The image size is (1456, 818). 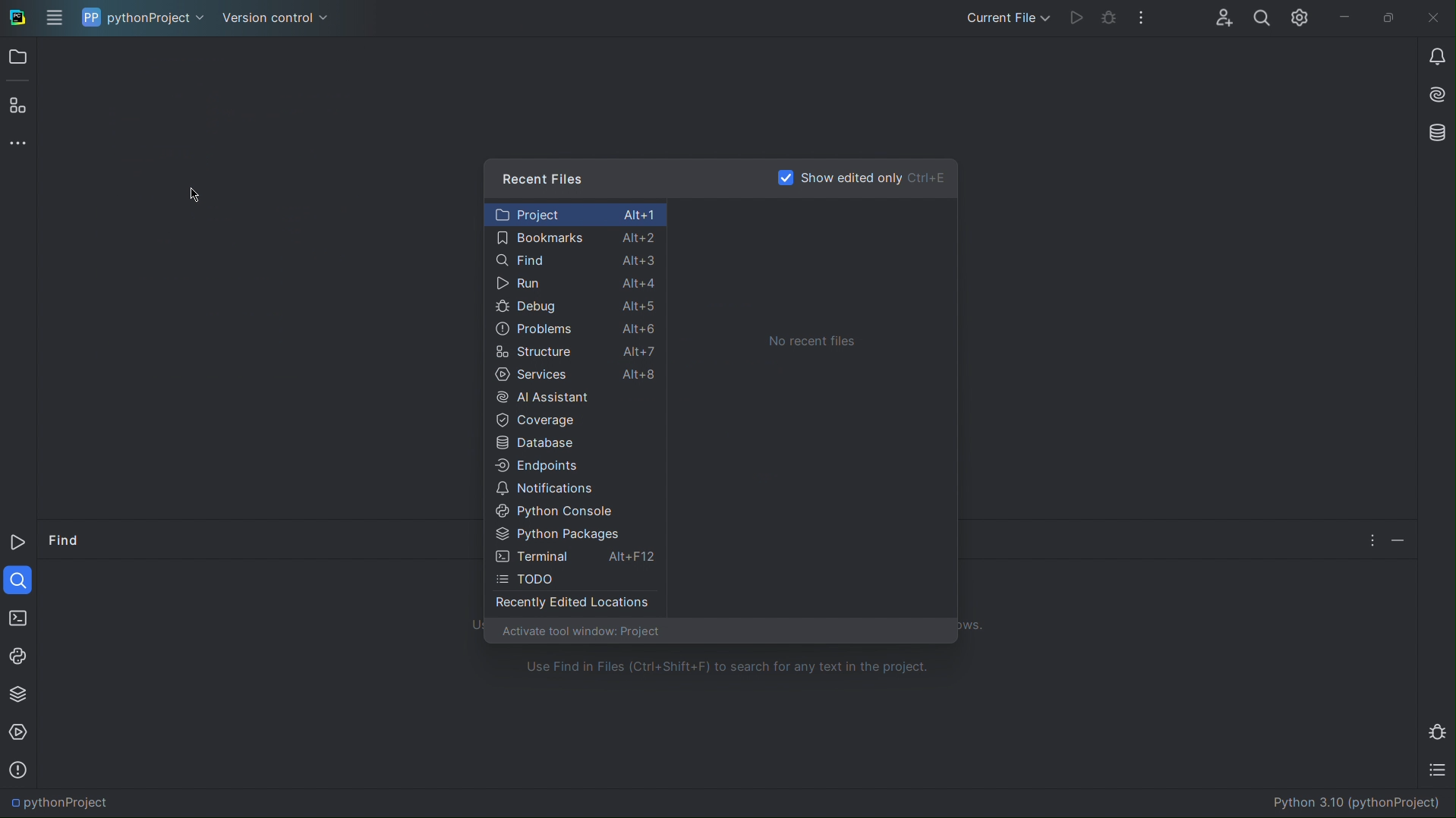 What do you see at coordinates (575, 511) in the screenshot?
I see `Python Console` at bounding box center [575, 511].